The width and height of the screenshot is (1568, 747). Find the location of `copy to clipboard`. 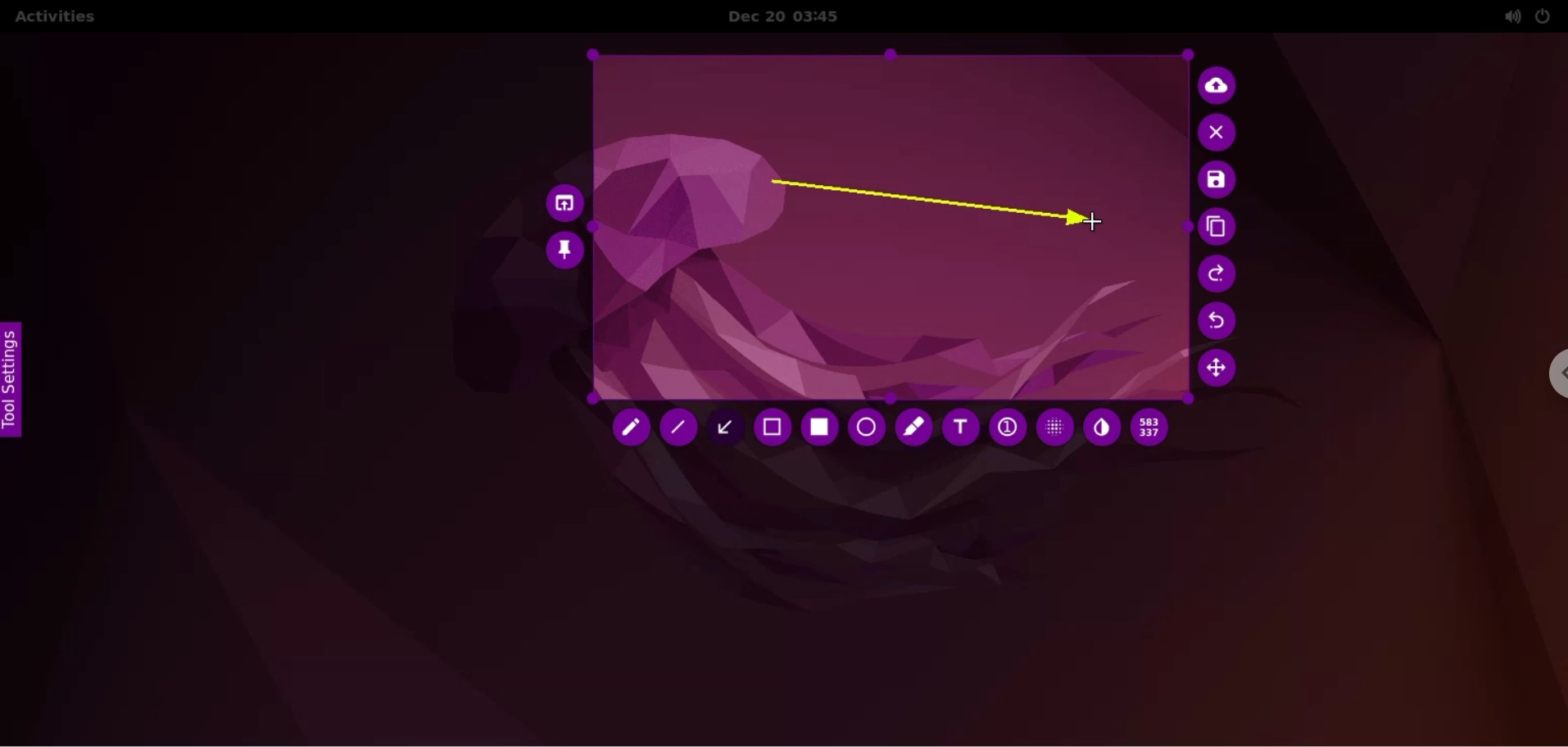

copy to clipboard is located at coordinates (1220, 229).